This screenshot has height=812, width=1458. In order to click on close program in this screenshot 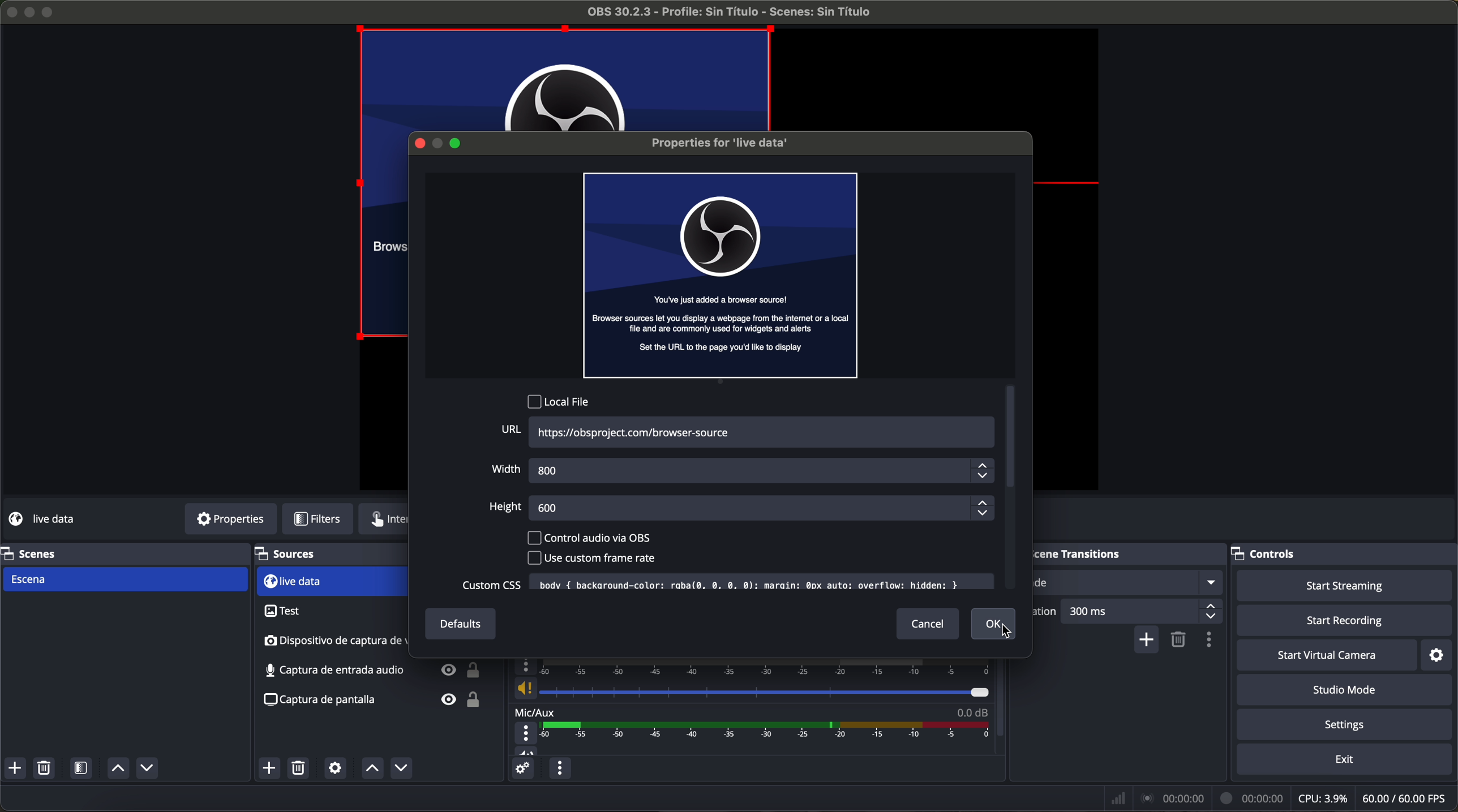, I will do `click(9, 14)`.